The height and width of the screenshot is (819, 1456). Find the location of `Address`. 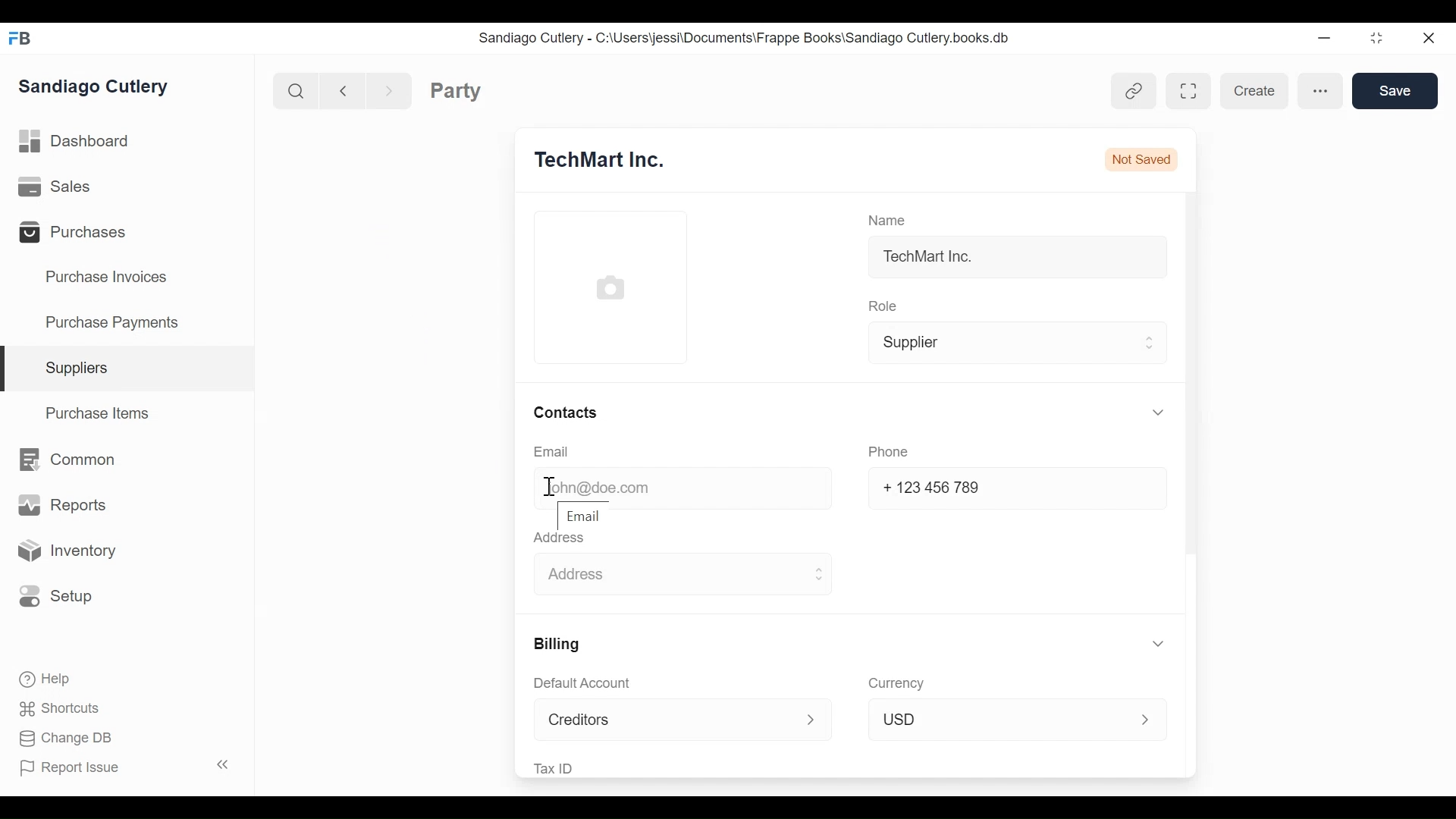

Address is located at coordinates (683, 574).